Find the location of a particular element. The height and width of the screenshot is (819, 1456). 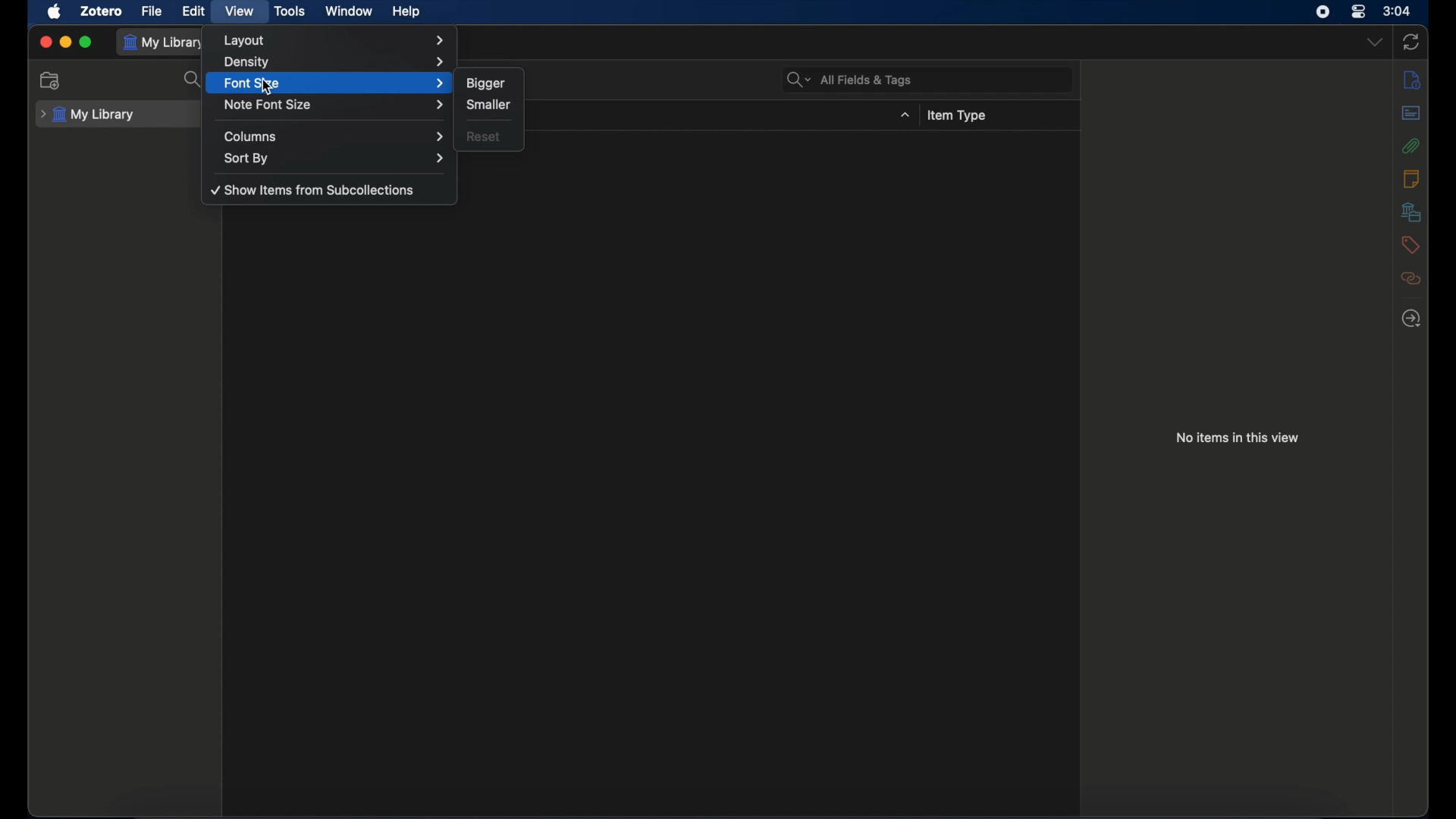

reset is located at coordinates (484, 136).